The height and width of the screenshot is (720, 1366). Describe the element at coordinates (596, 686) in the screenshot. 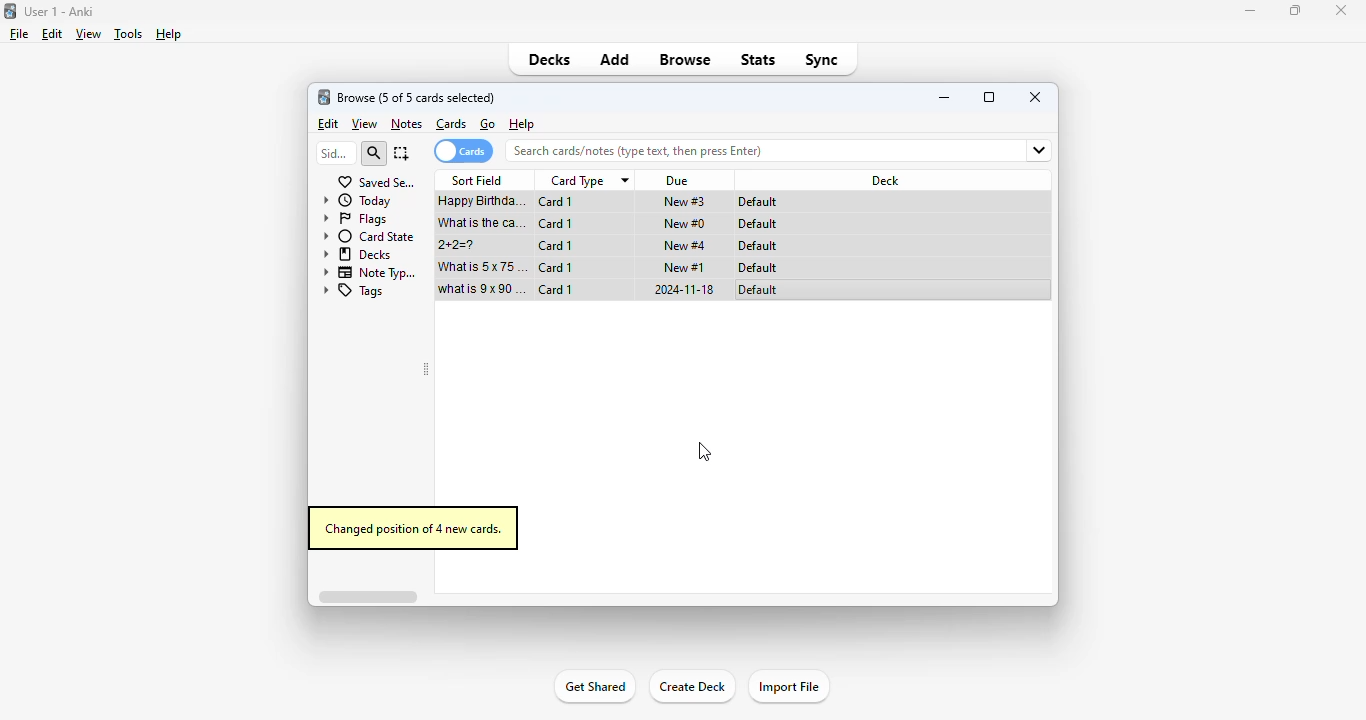

I see `get shared` at that location.